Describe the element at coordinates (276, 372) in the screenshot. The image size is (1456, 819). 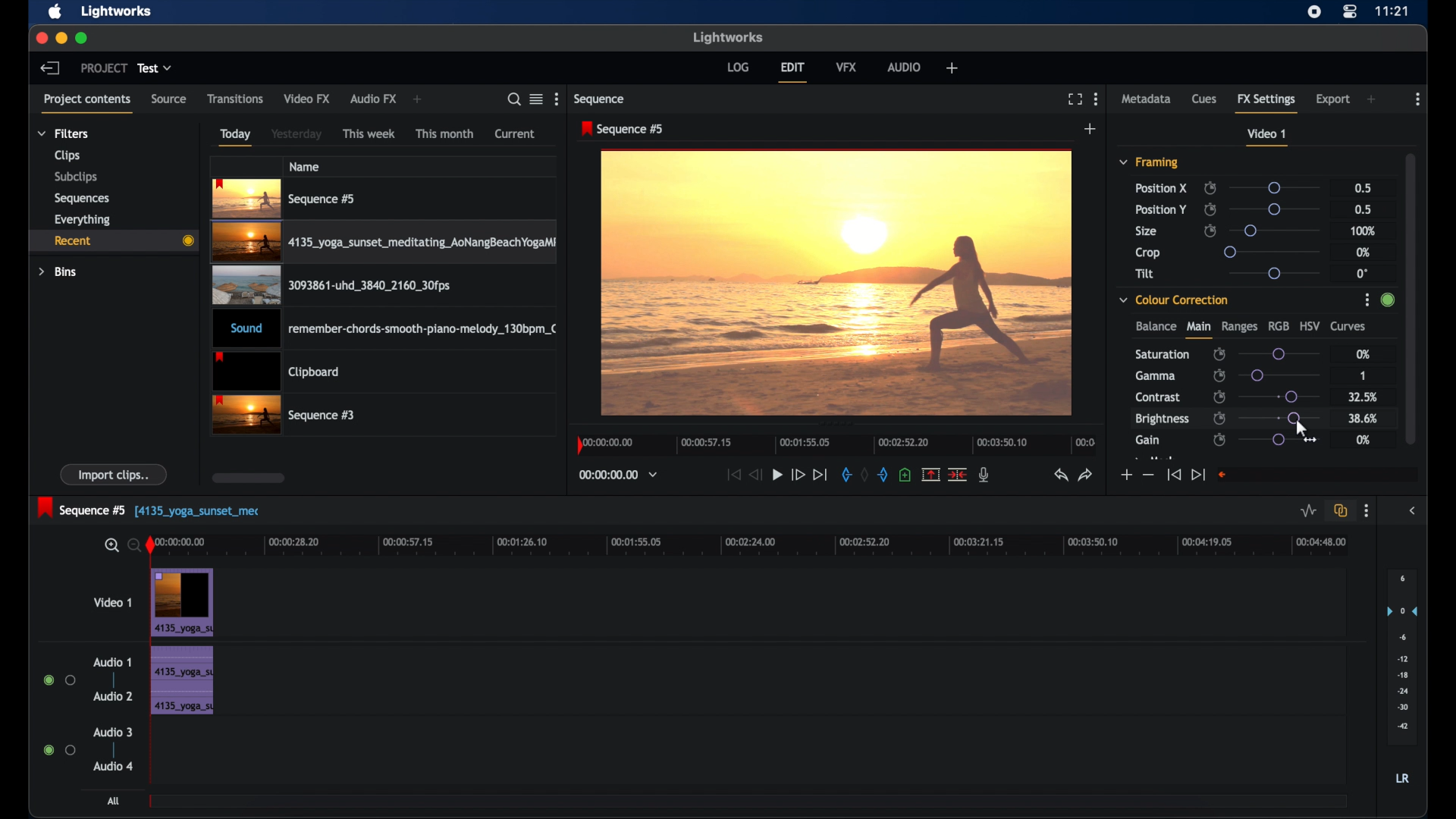
I see `clipboard` at that location.